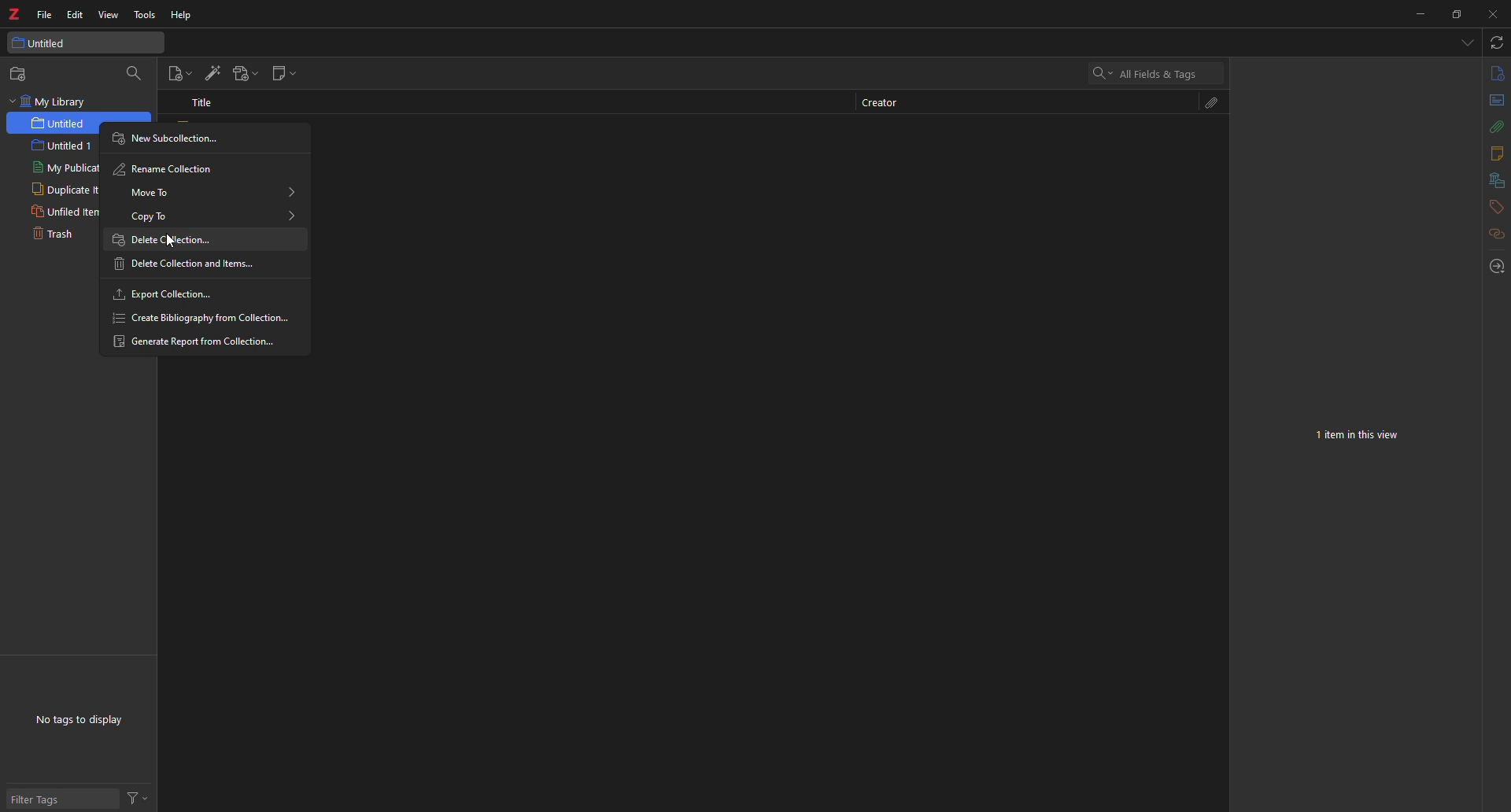 This screenshot has height=812, width=1511. Describe the element at coordinates (1494, 180) in the screenshot. I see `library` at that location.